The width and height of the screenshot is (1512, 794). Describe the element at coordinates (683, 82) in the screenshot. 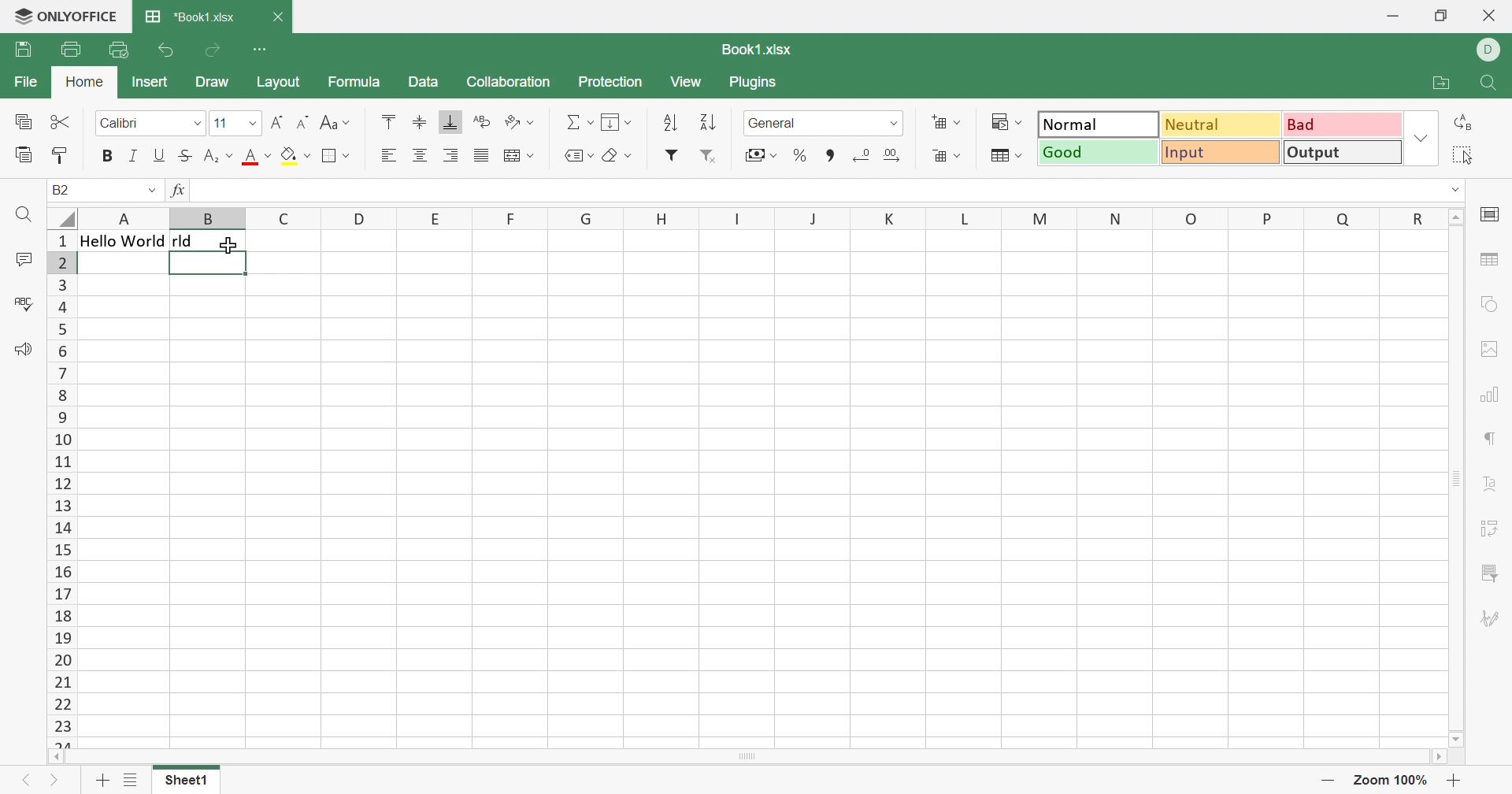

I see ` View` at that location.